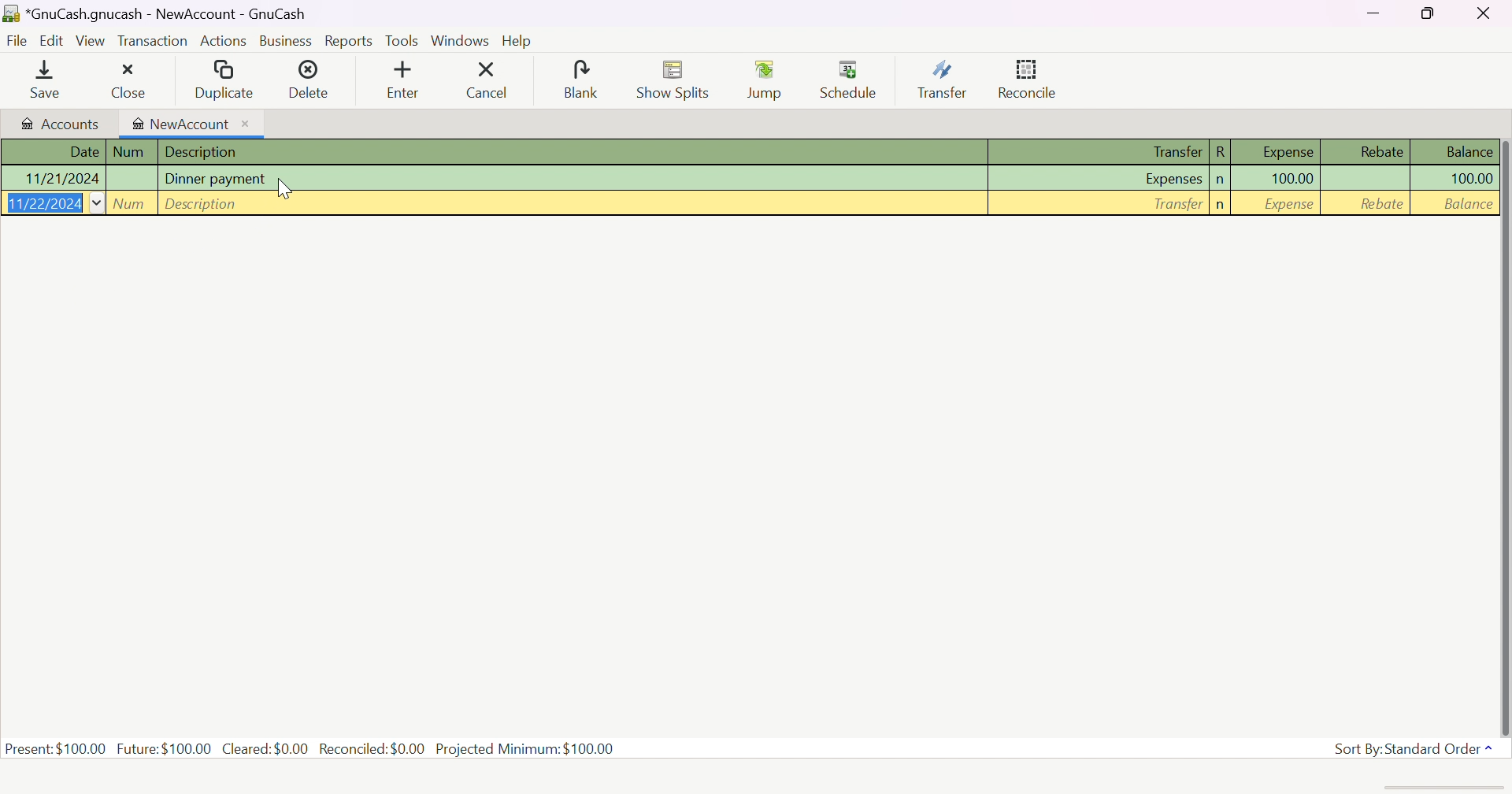 This screenshot has width=1512, height=794. Describe the element at coordinates (1485, 13) in the screenshot. I see `Close` at that location.